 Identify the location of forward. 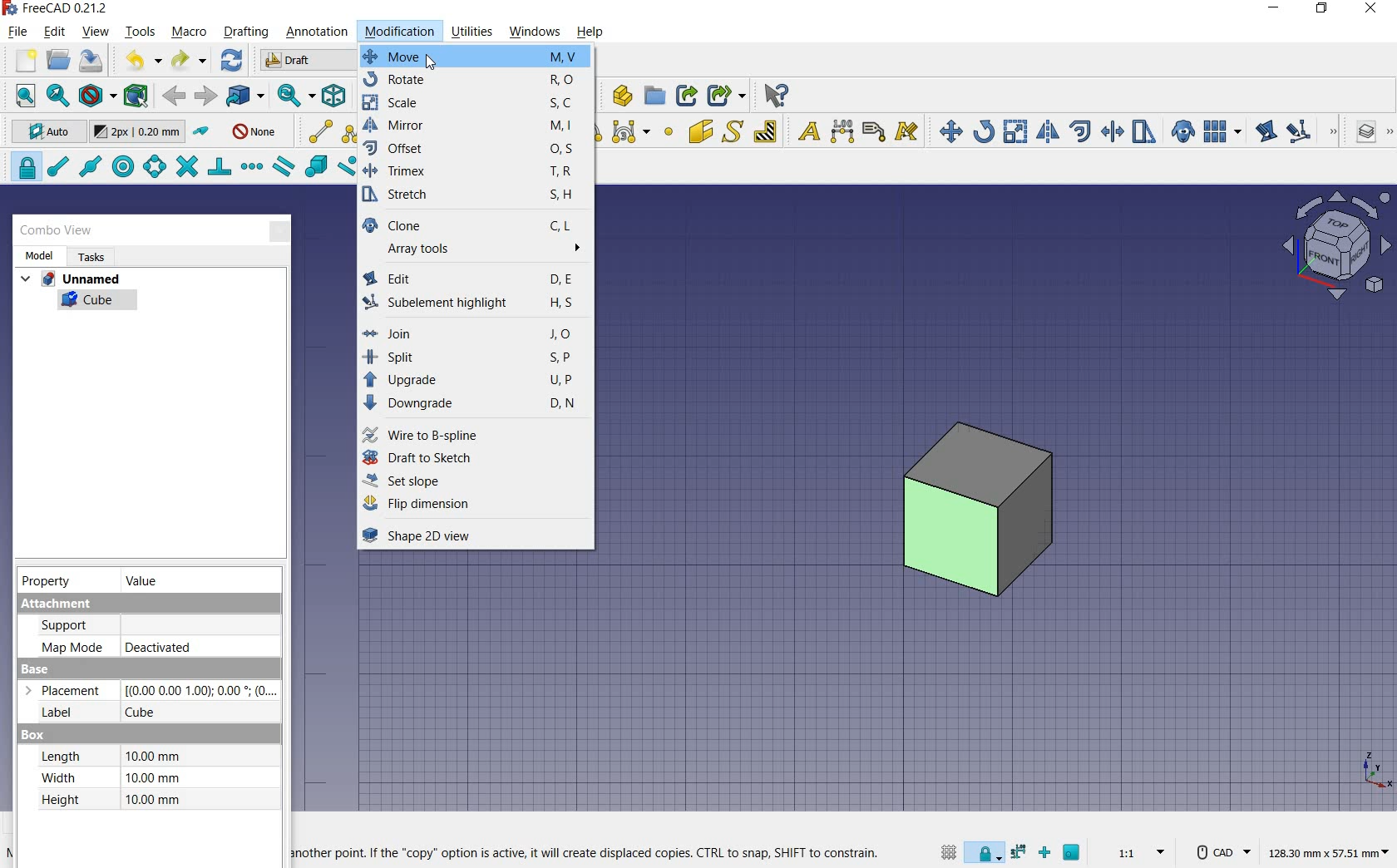
(205, 96).